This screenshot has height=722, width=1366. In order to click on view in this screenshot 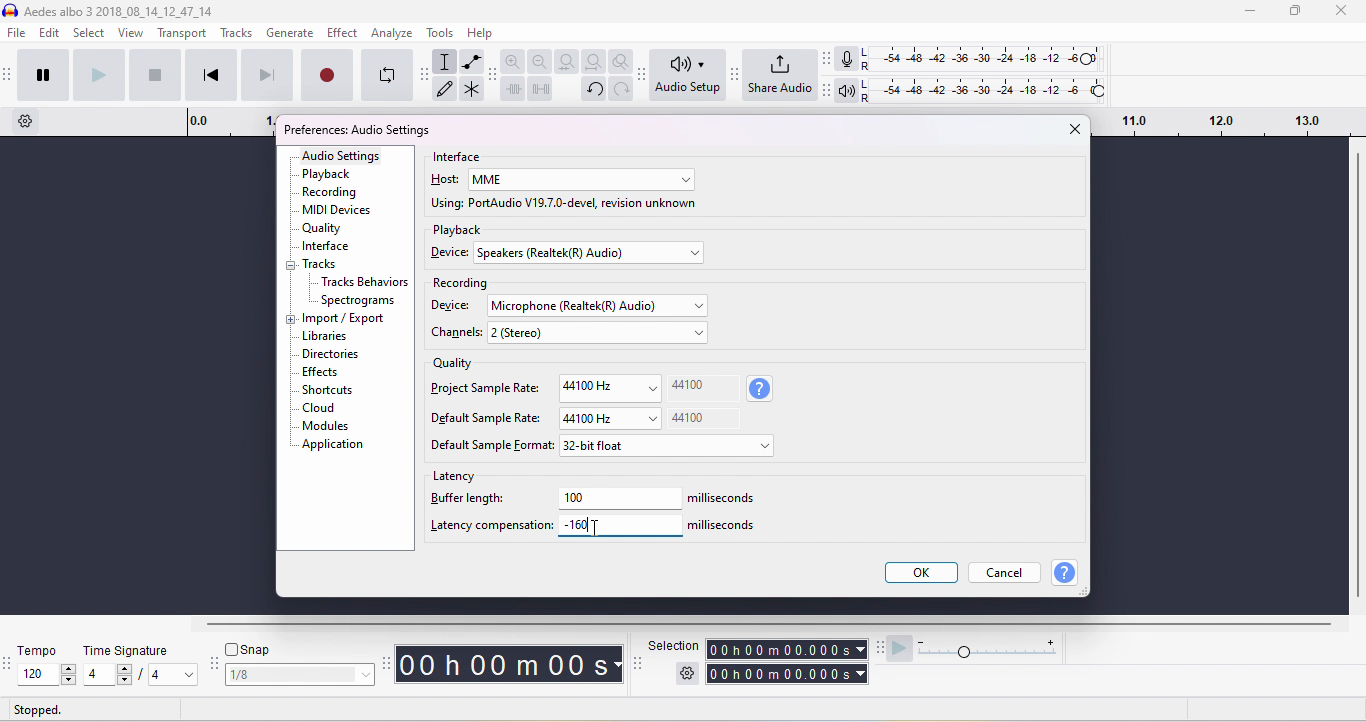, I will do `click(132, 32)`.